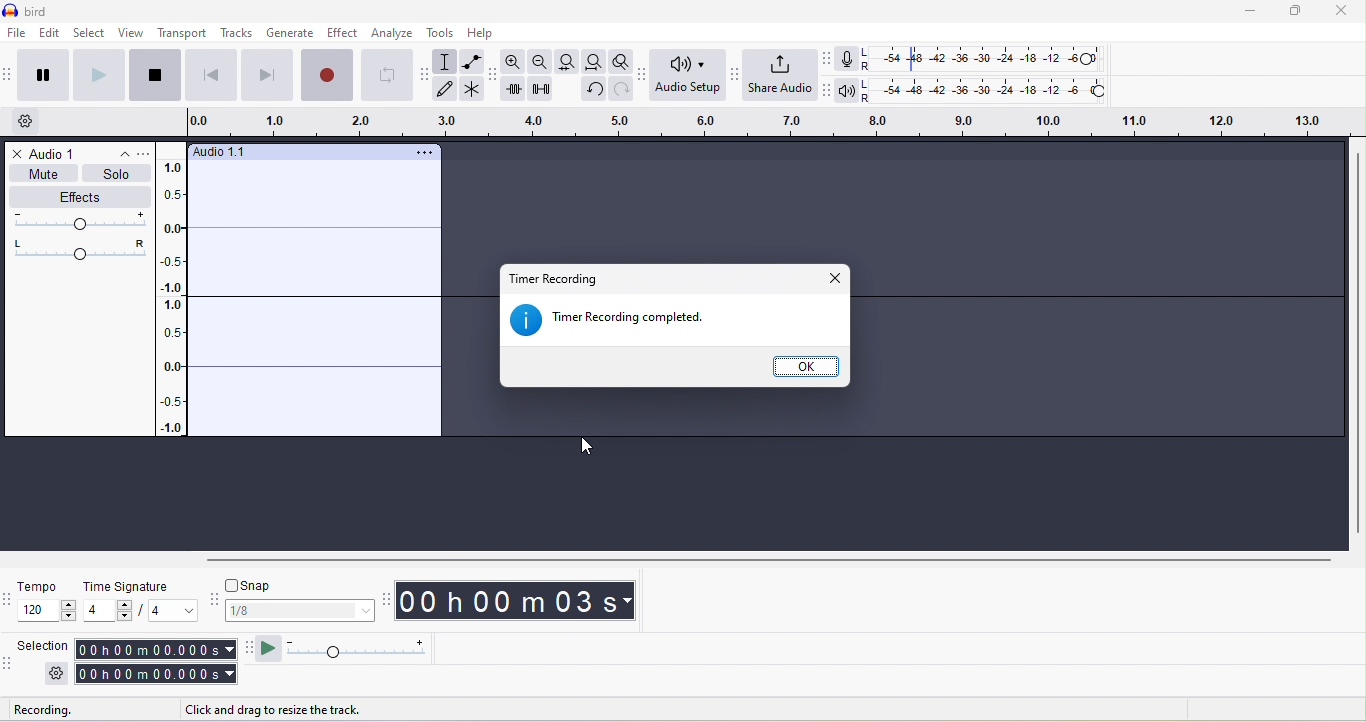 This screenshot has width=1366, height=722. I want to click on audacity time toolbar, so click(386, 599).